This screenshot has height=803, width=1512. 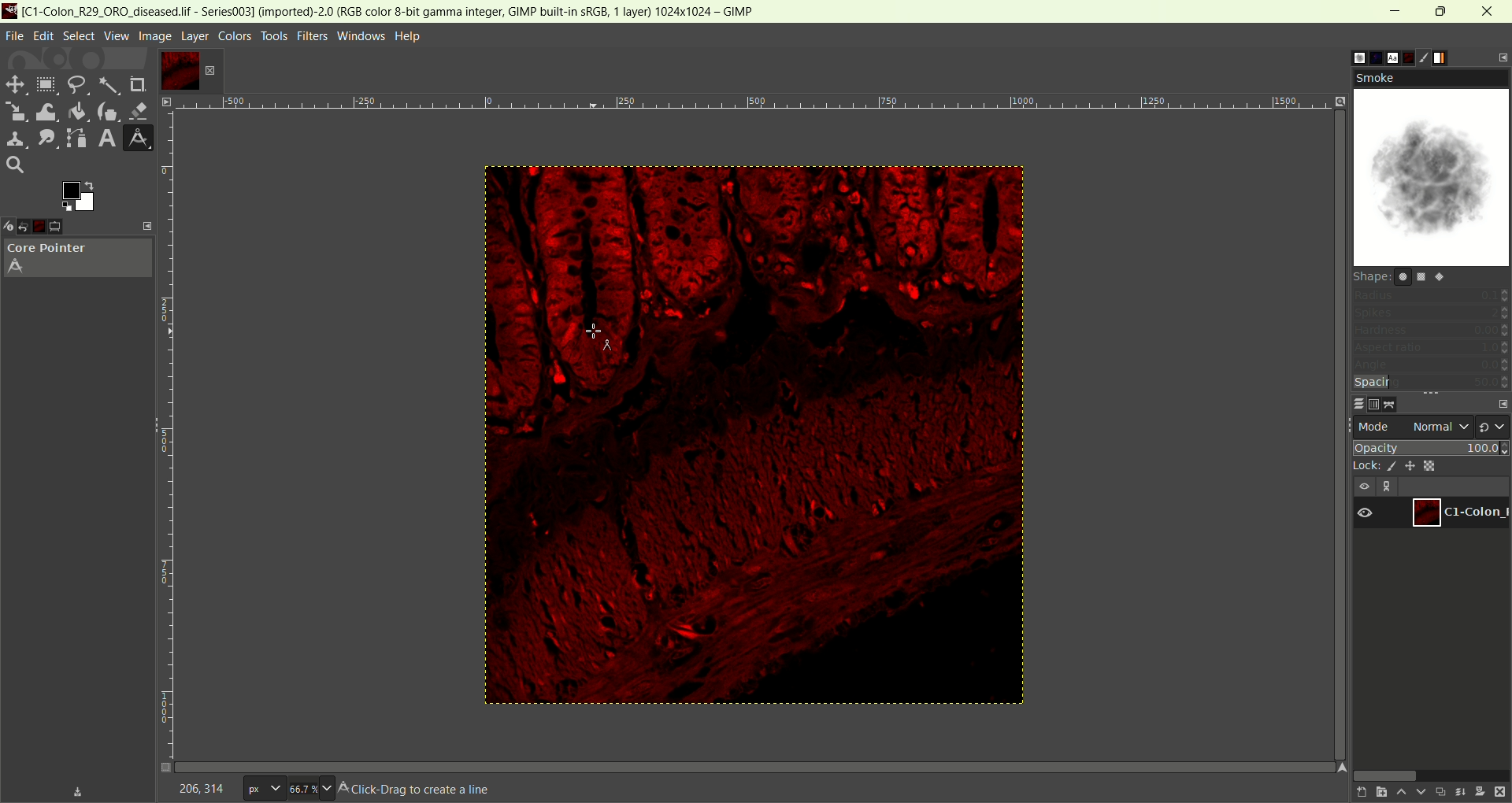 What do you see at coordinates (76, 196) in the screenshot?
I see `active foreground/background color` at bounding box center [76, 196].